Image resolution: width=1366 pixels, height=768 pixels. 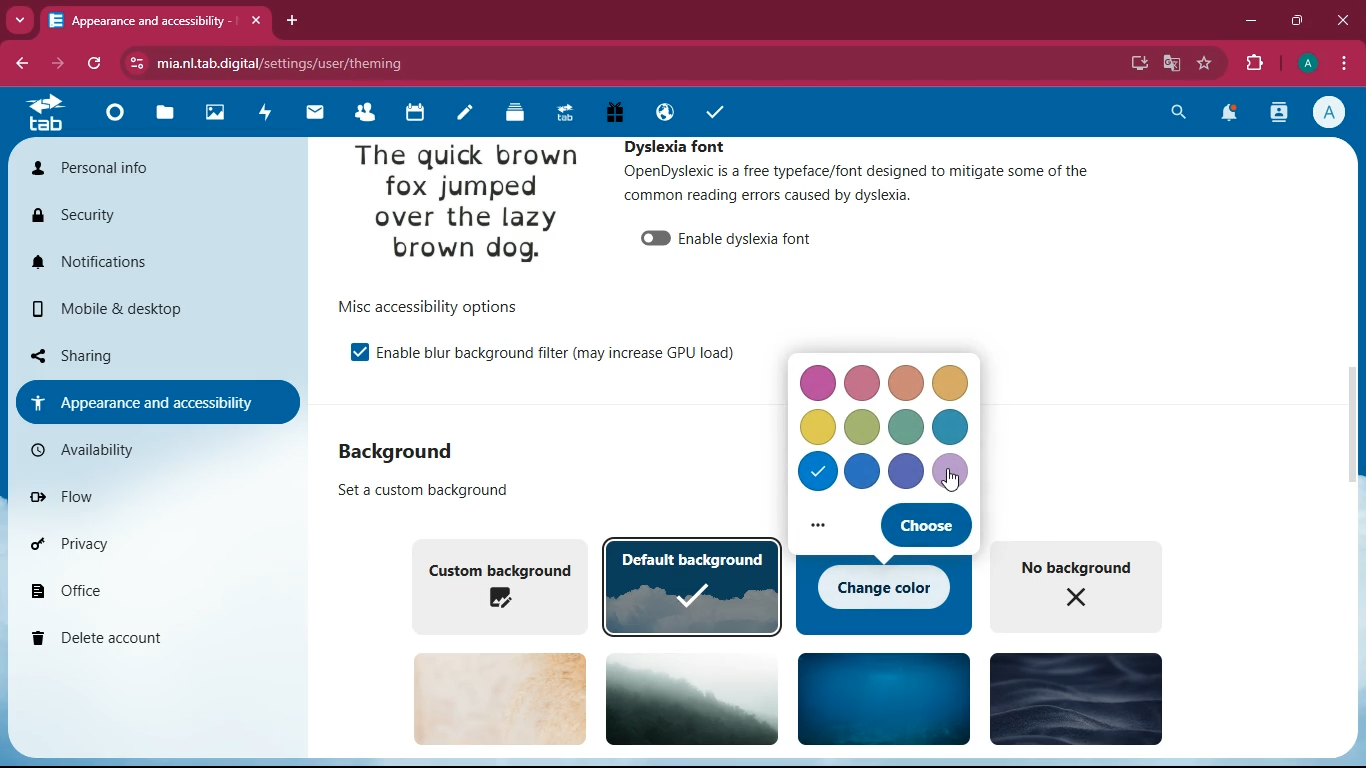 I want to click on scroll bar, so click(x=1351, y=438).